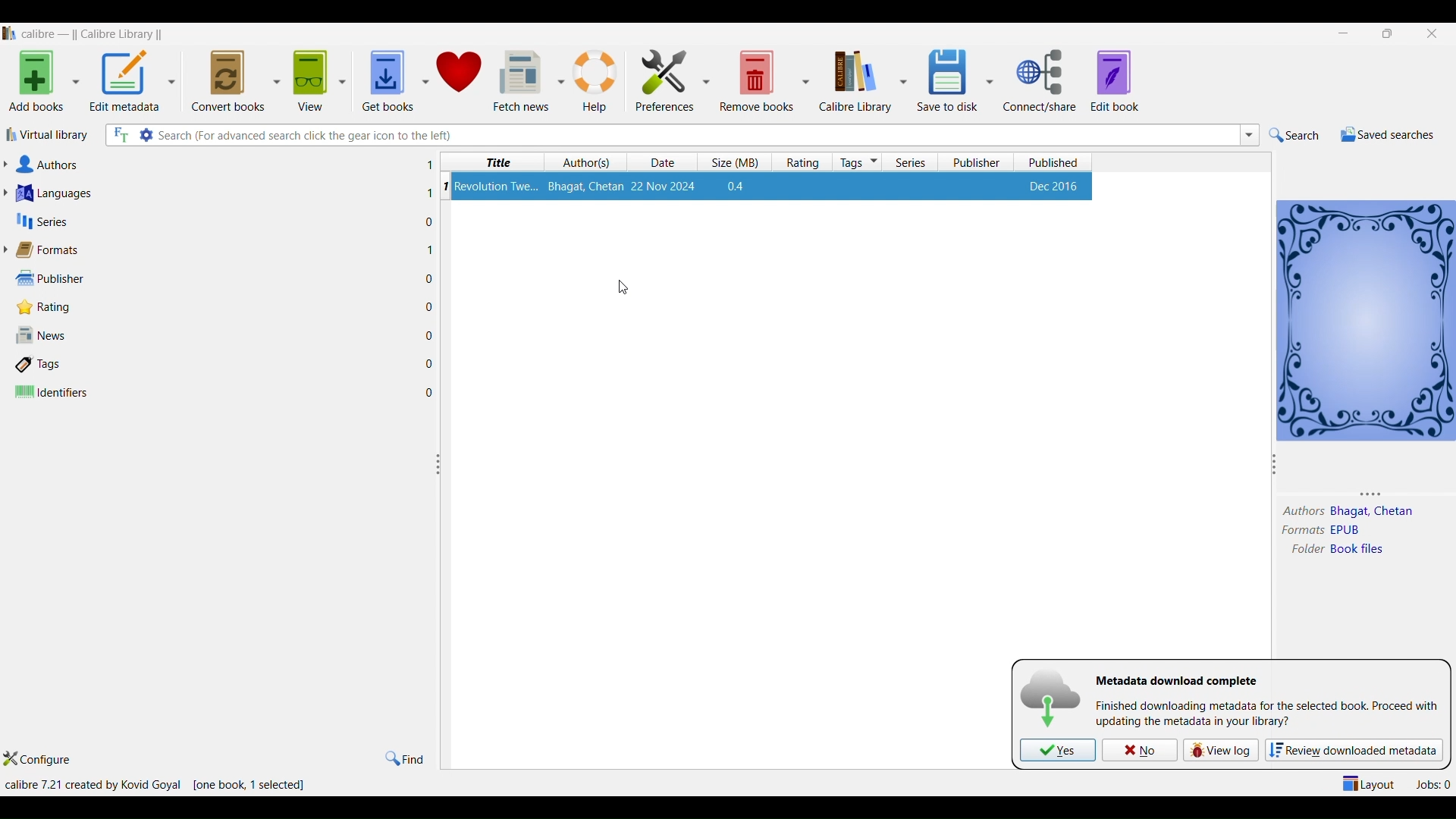 This screenshot has width=1456, height=819. What do you see at coordinates (345, 76) in the screenshot?
I see `view options dropdown button` at bounding box center [345, 76].